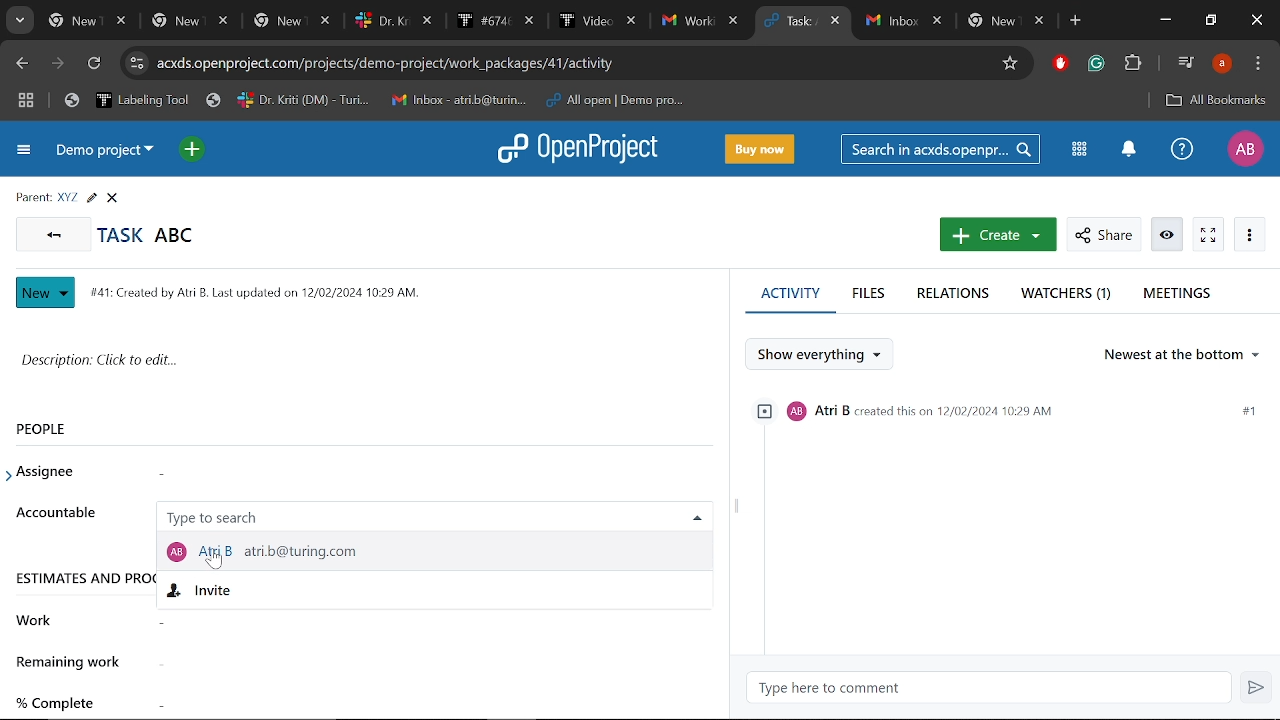 The height and width of the screenshot is (720, 1280). What do you see at coordinates (942, 150) in the screenshot?
I see `Seacrh in acxds.openproject` at bounding box center [942, 150].